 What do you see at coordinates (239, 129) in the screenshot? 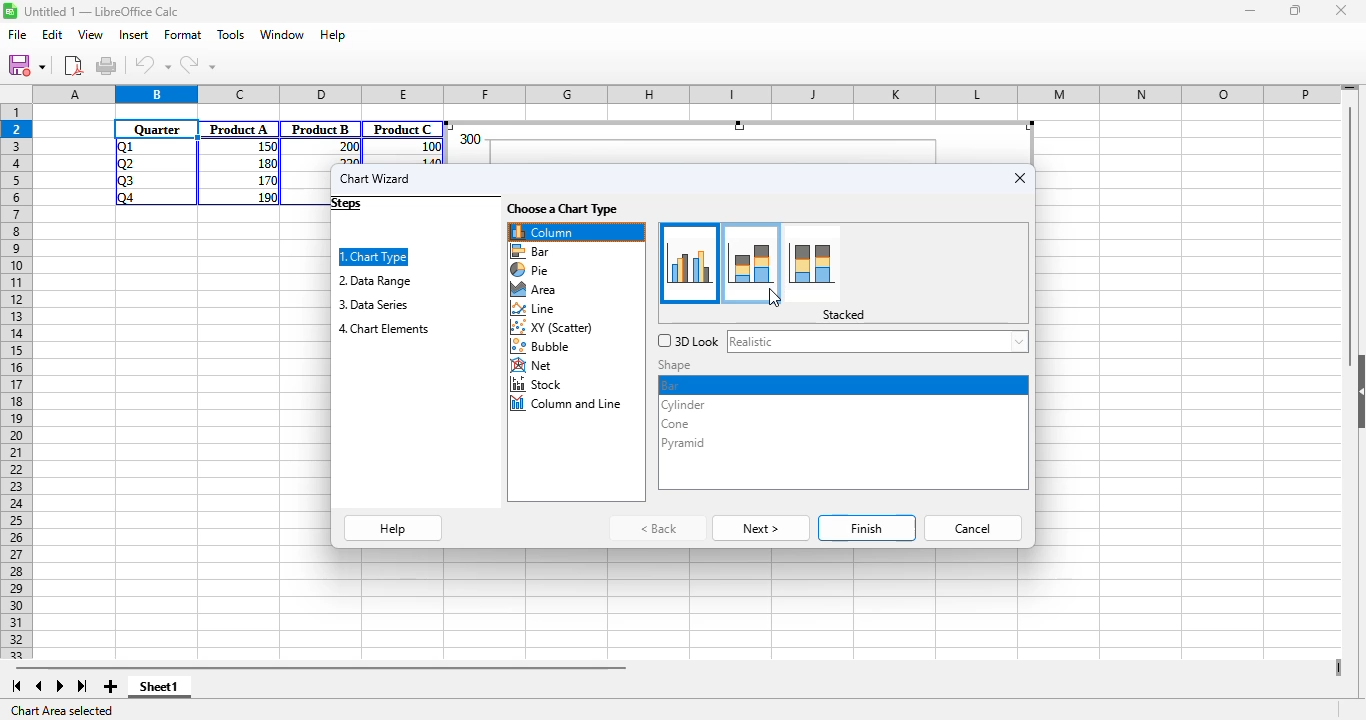
I see `Product A` at bounding box center [239, 129].